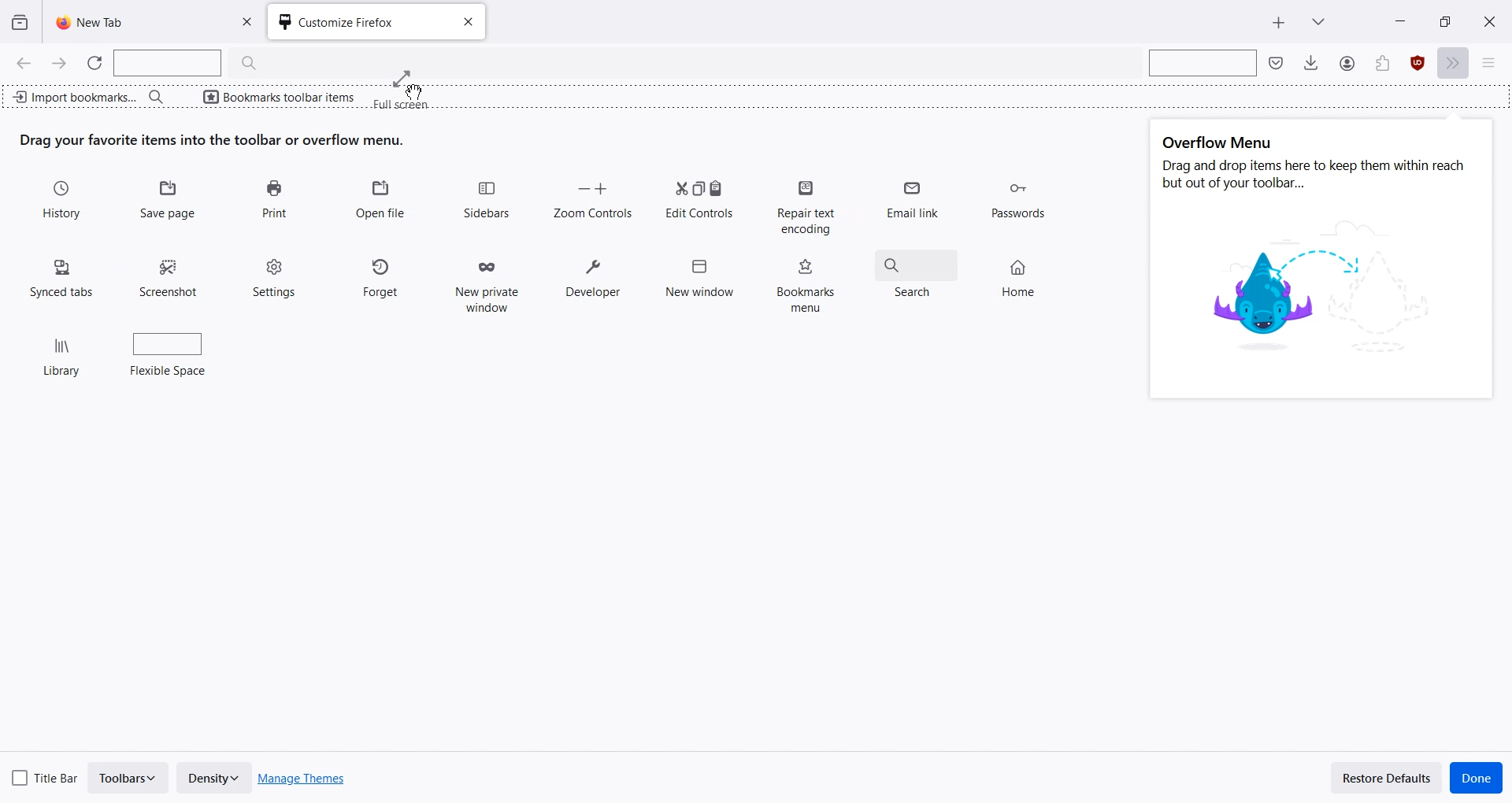  I want to click on Close Tab, so click(251, 22).